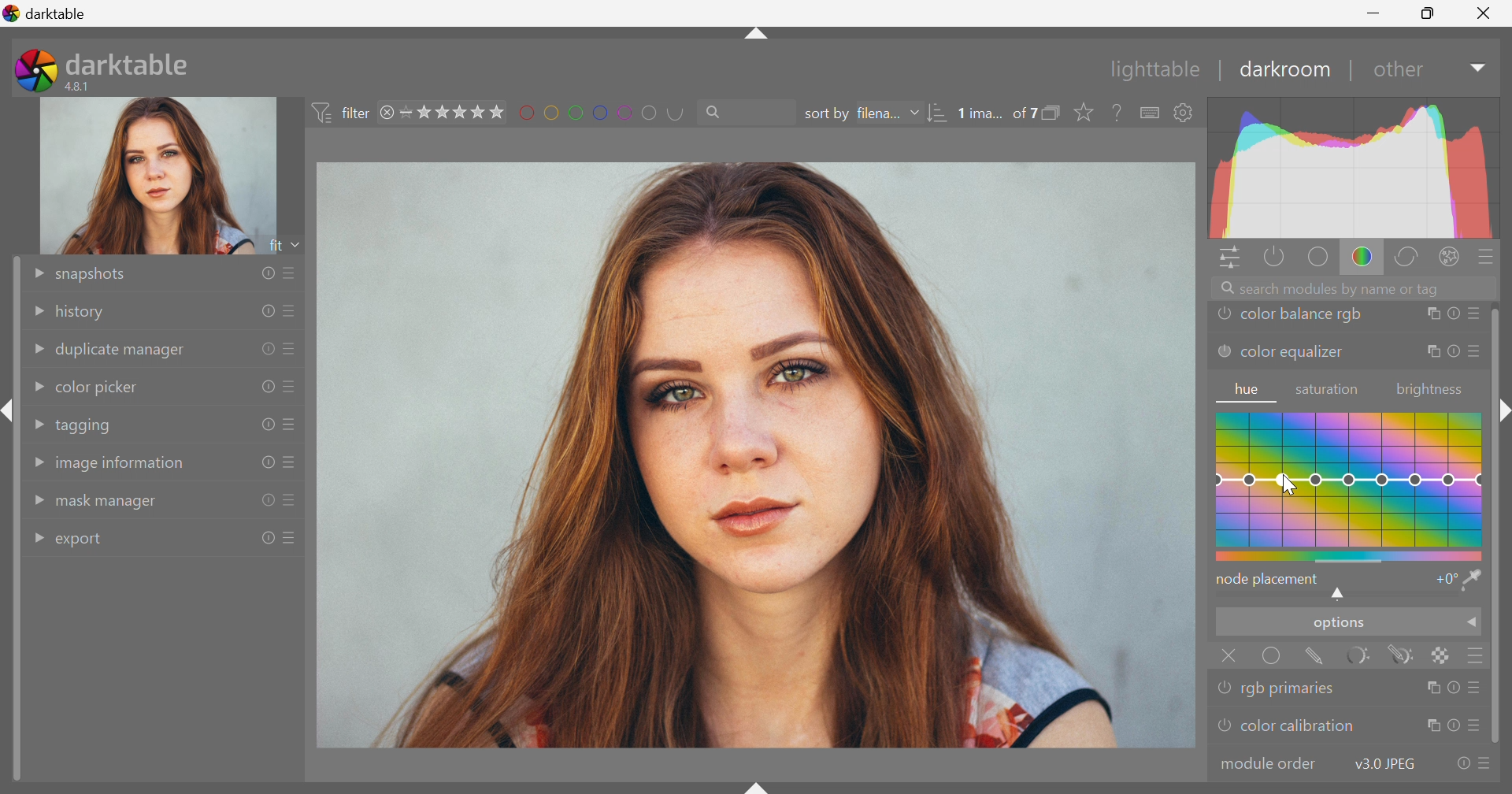  What do you see at coordinates (1443, 581) in the screenshot?
I see `+0°` at bounding box center [1443, 581].